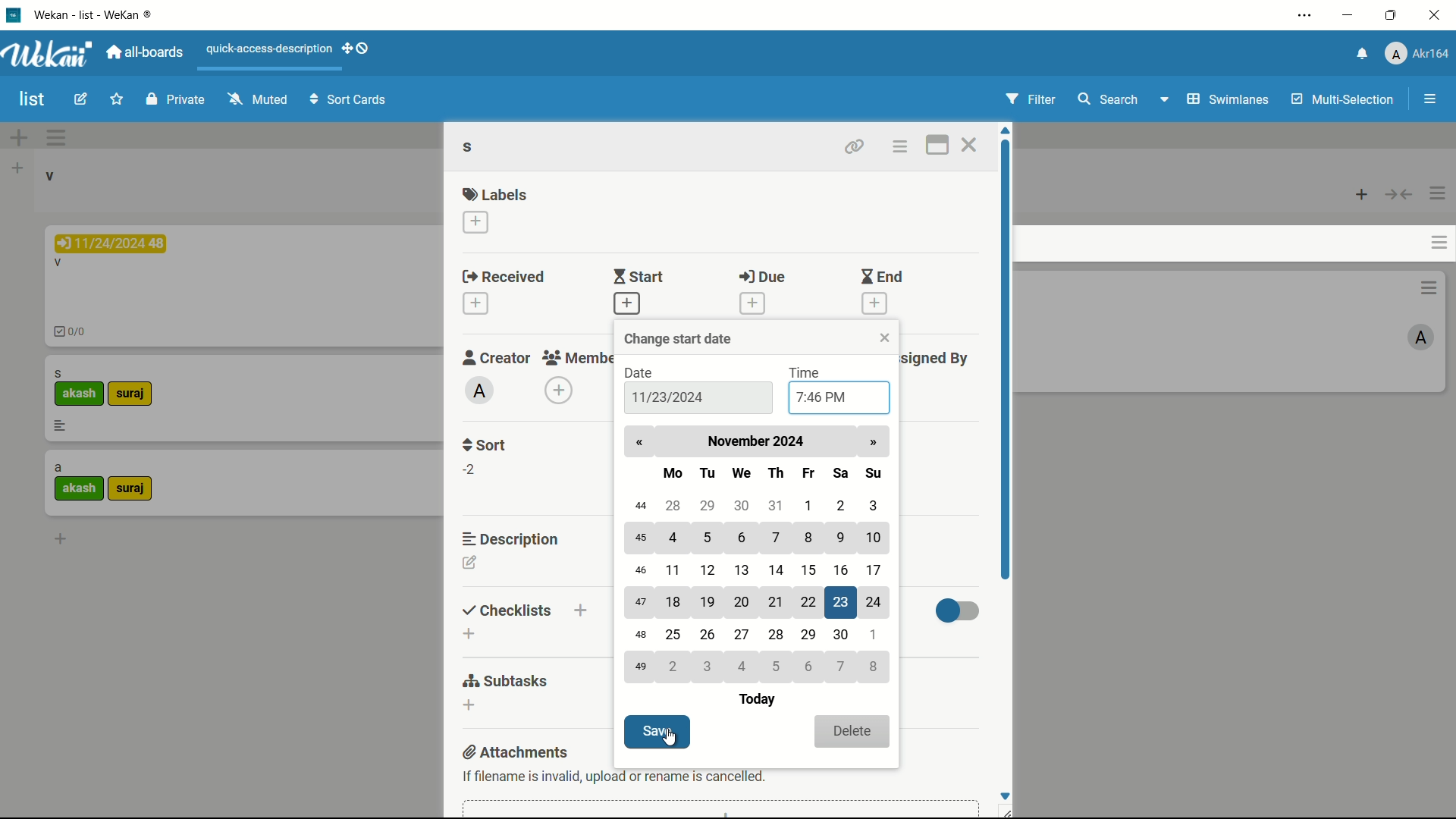 The height and width of the screenshot is (819, 1456). Describe the element at coordinates (131, 394) in the screenshot. I see `label-2` at that location.